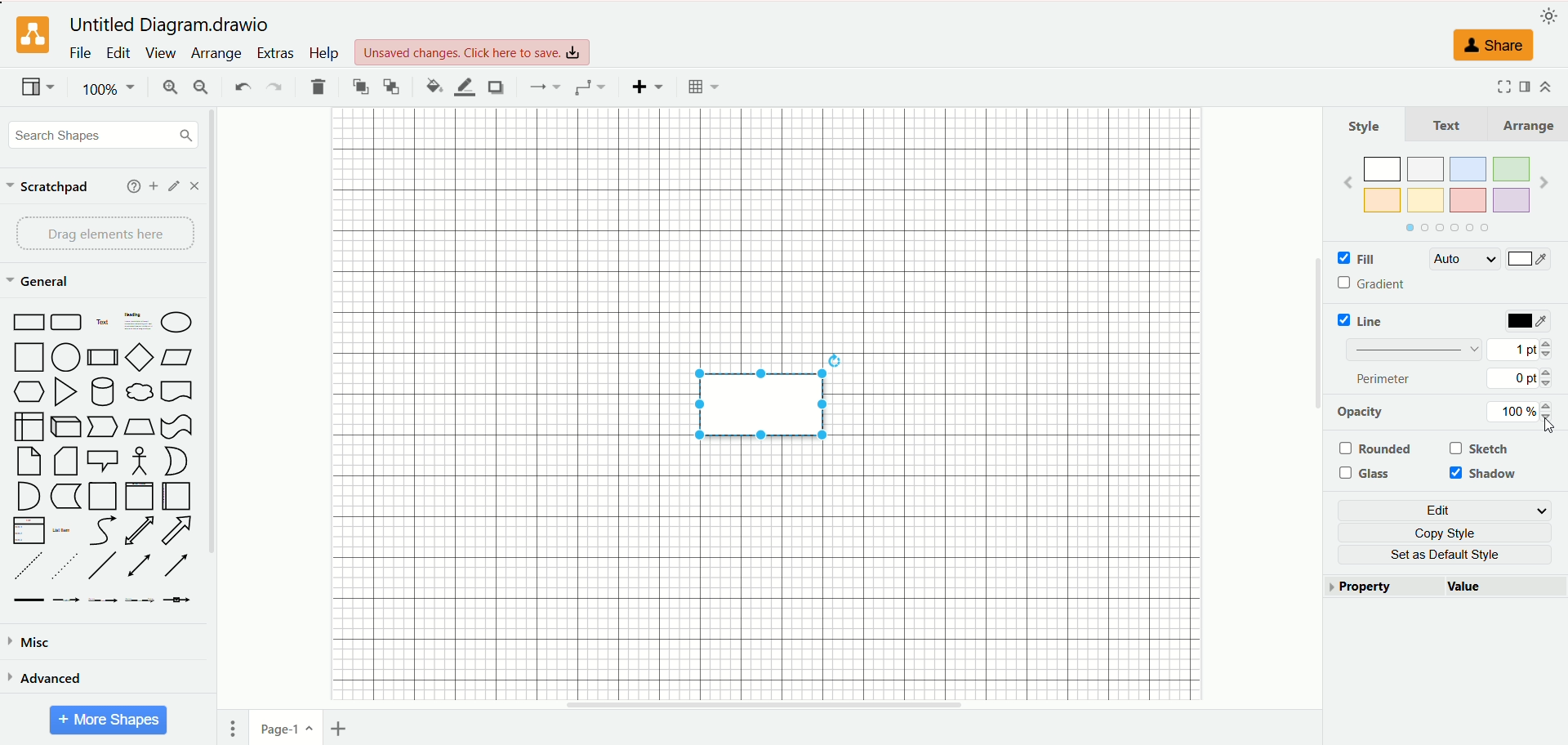 Image resolution: width=1568 pixels, height=745 pixels. Describe the element at coordinates (1385, 378) in the screenshot. I see `perimeter` at that location.